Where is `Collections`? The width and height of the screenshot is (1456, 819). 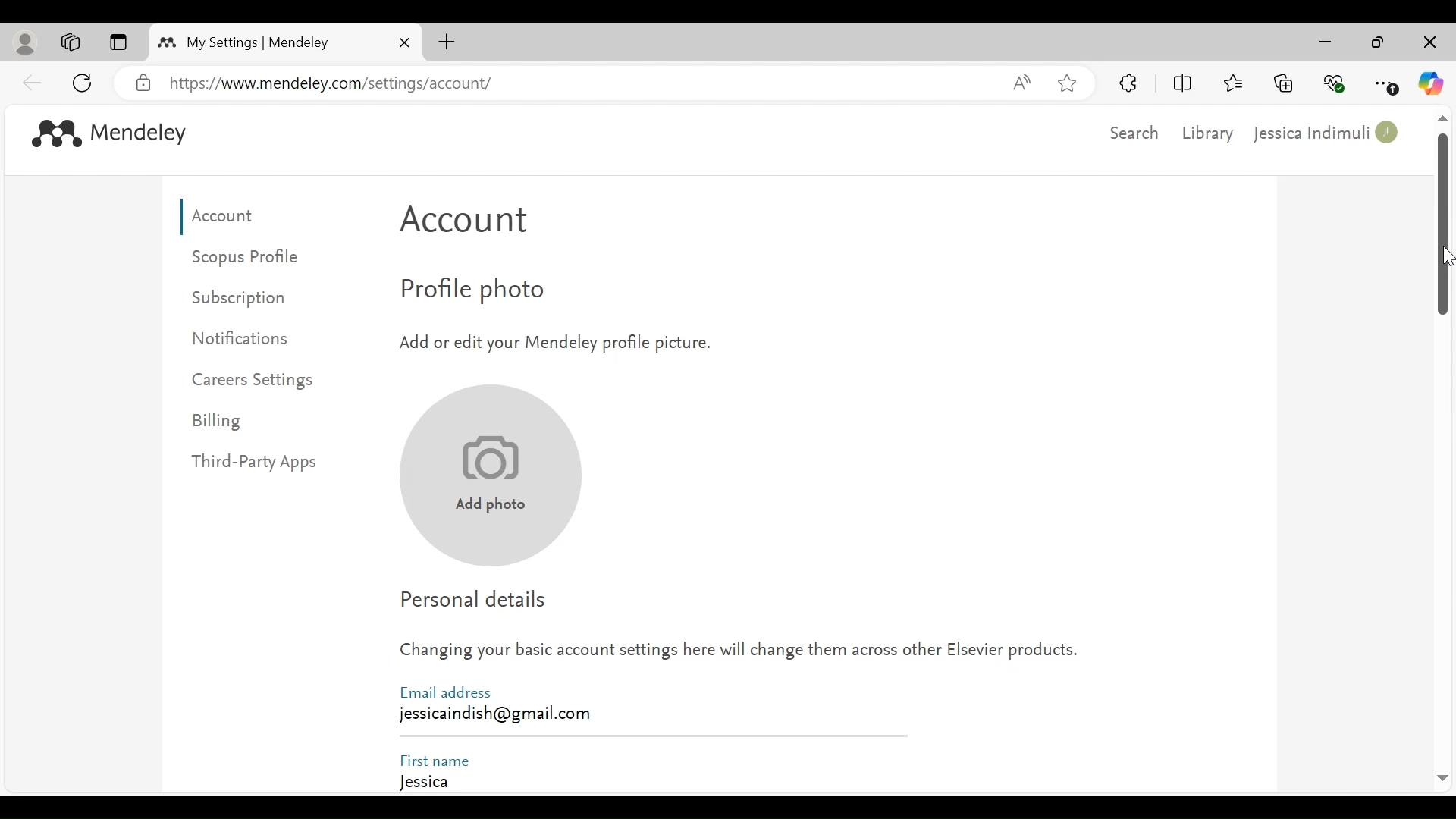 Collections is located at coordinates (1284, 82).